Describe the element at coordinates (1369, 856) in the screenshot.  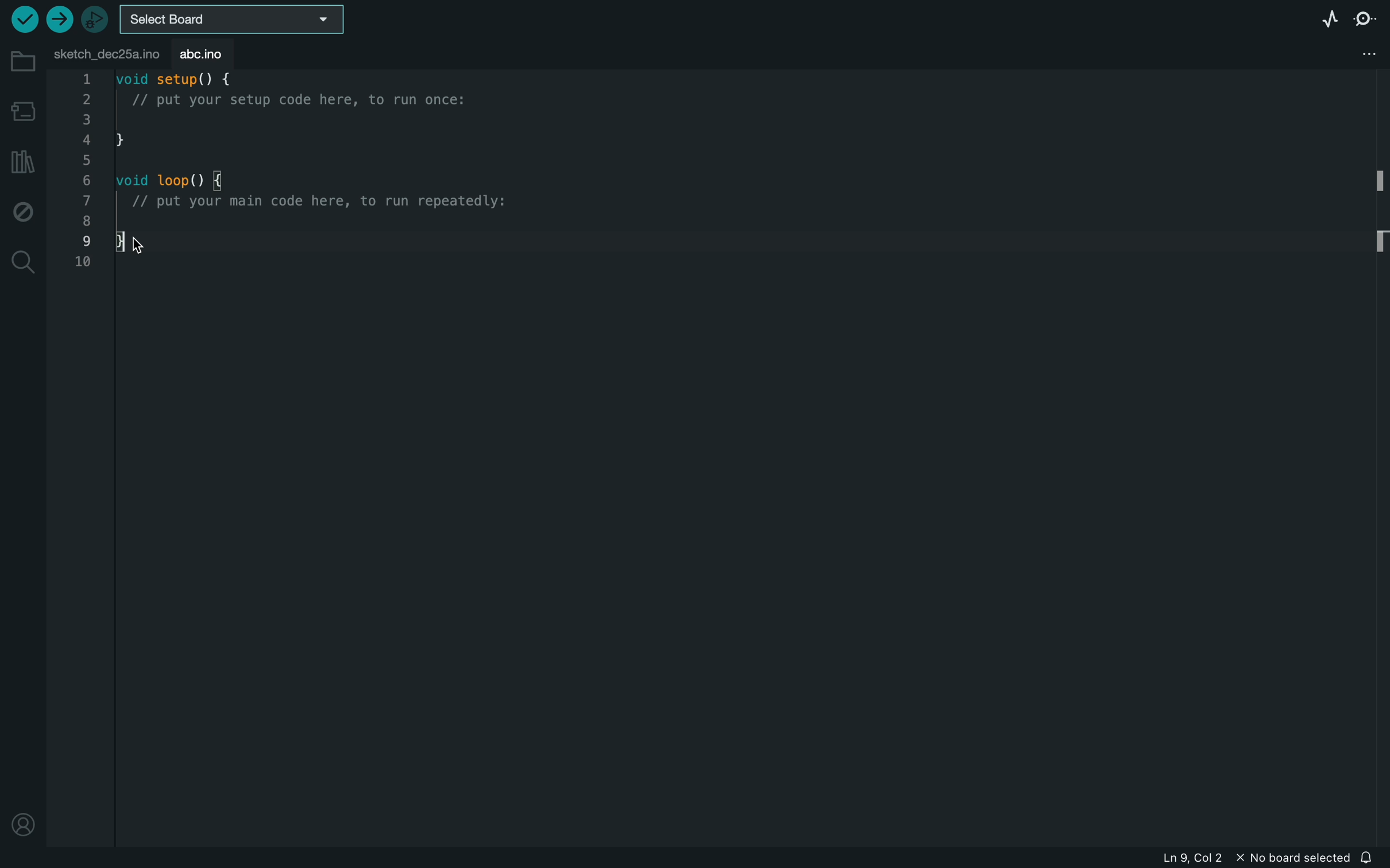
I see `notification` at that location.